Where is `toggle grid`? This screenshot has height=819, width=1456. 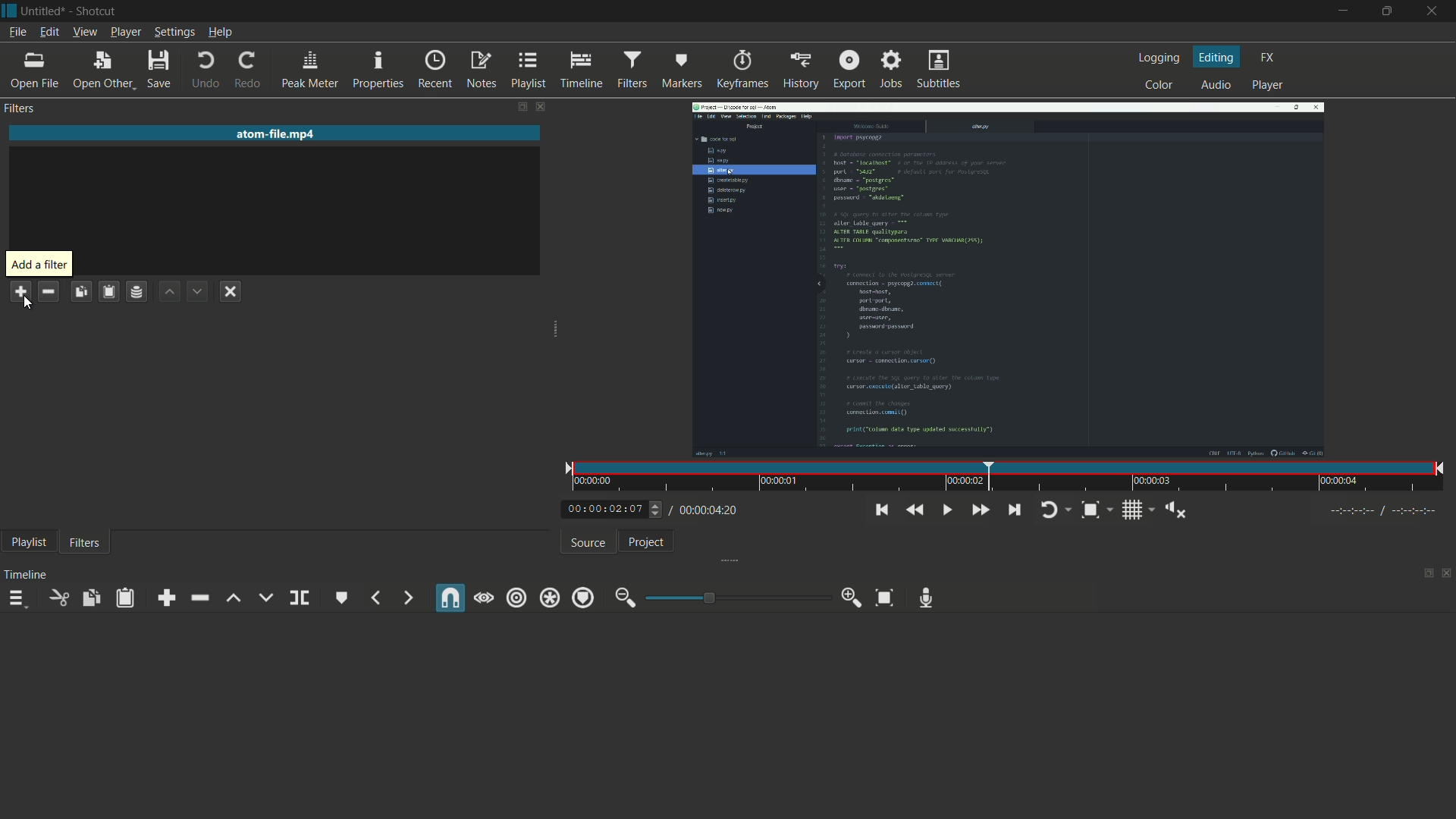 toggle grid is located at coordinates (1138, 510).